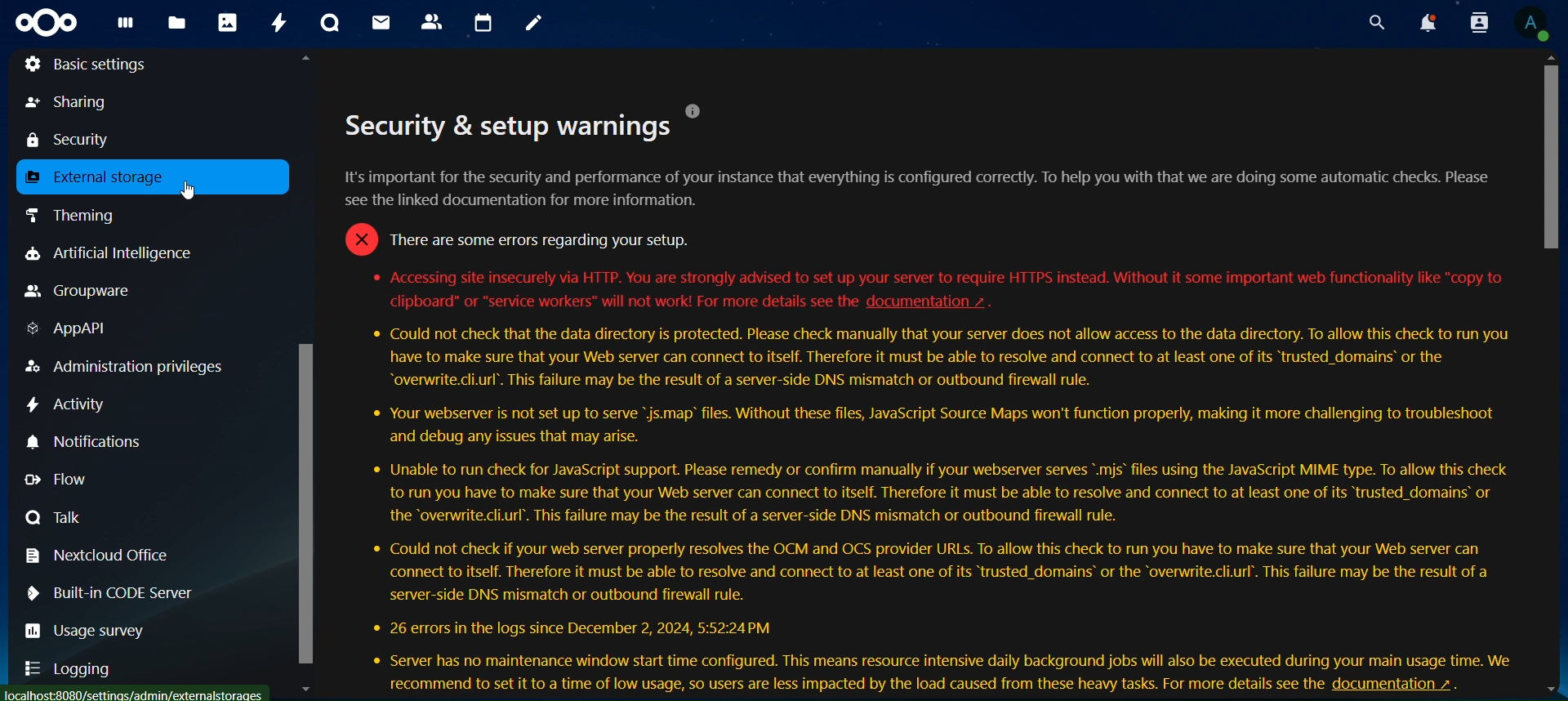 The height and width of the screenshot is (701, 1568). Describe the element at coordinates (332, 23) in the screenshot. I see `talk` at that location.